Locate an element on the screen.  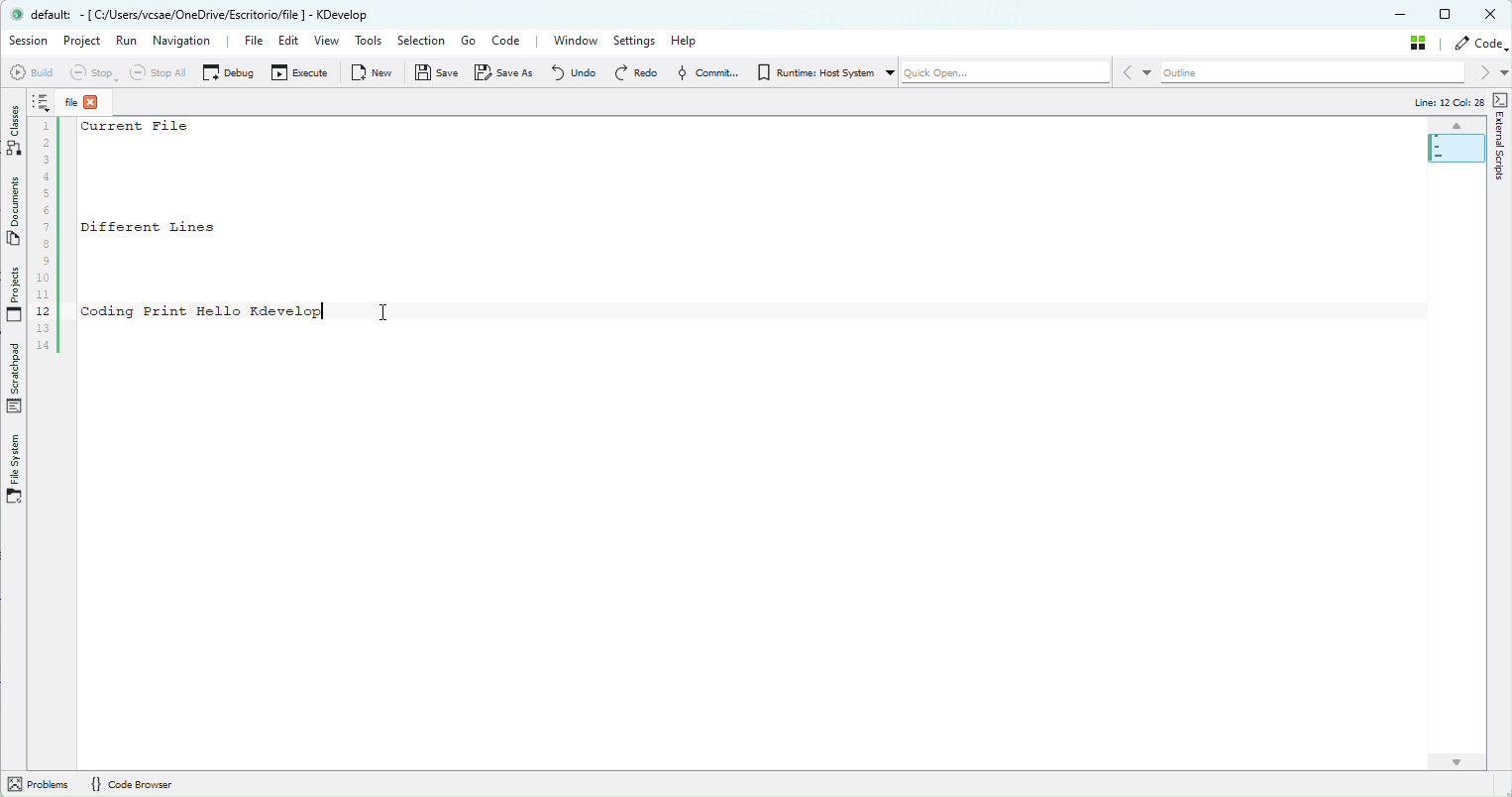
Code is located at coordinates (1475, 41).